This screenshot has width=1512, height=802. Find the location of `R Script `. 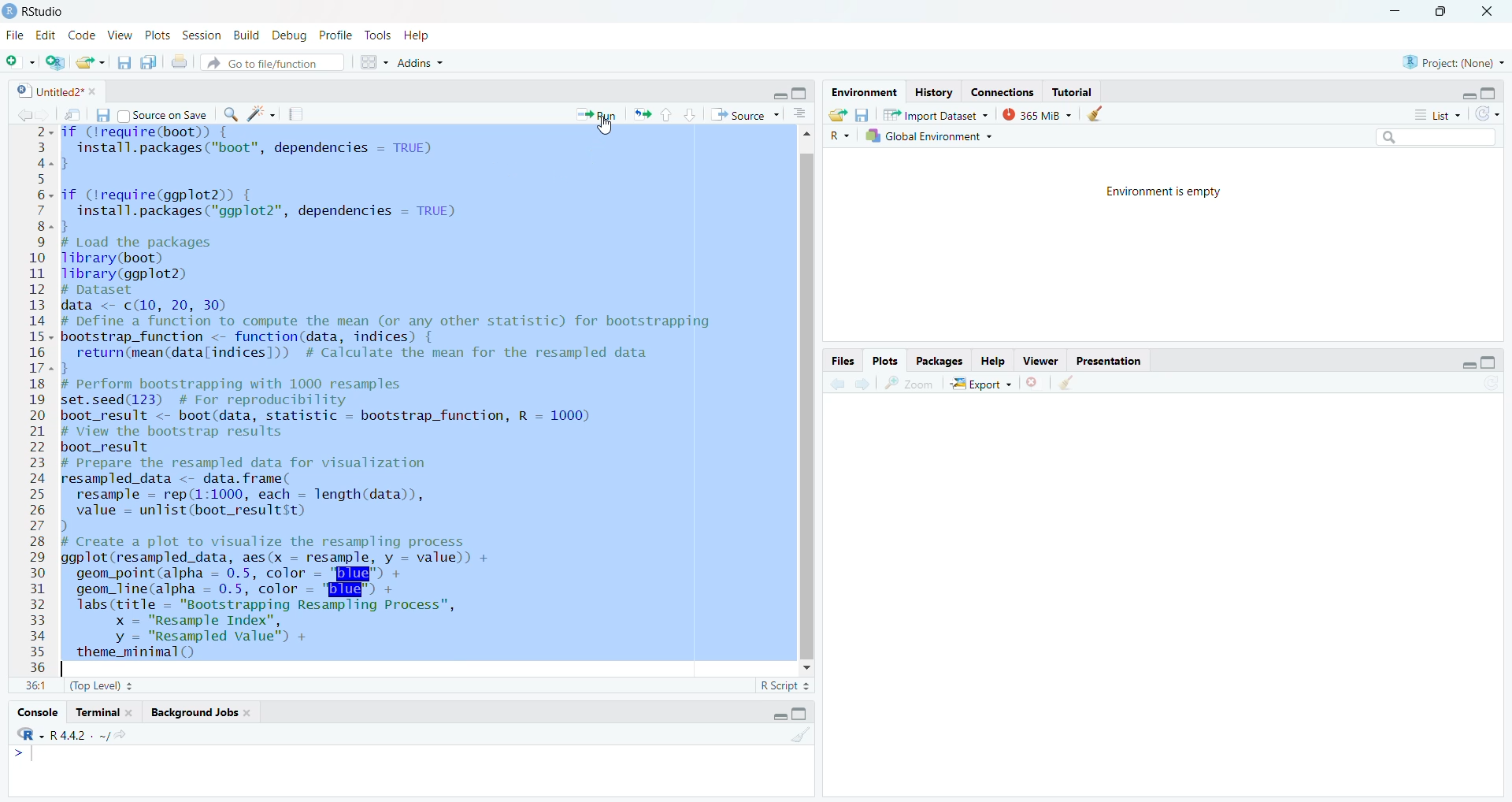

R Script  is located at coordinates (781, 686).